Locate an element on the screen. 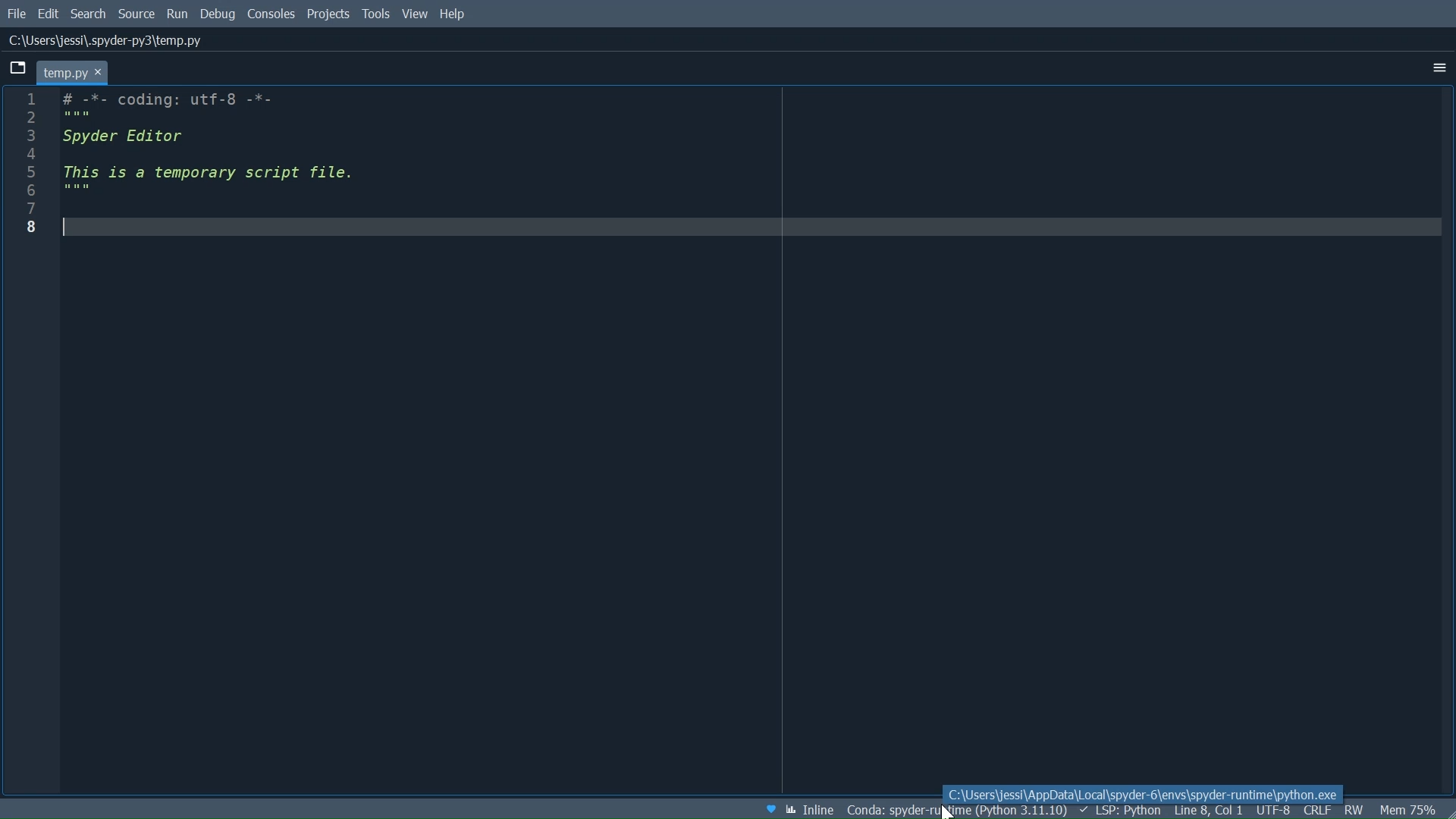 The width and height of the screenshot is (1456, 819). More Options is located at coordinates (1436, 67).